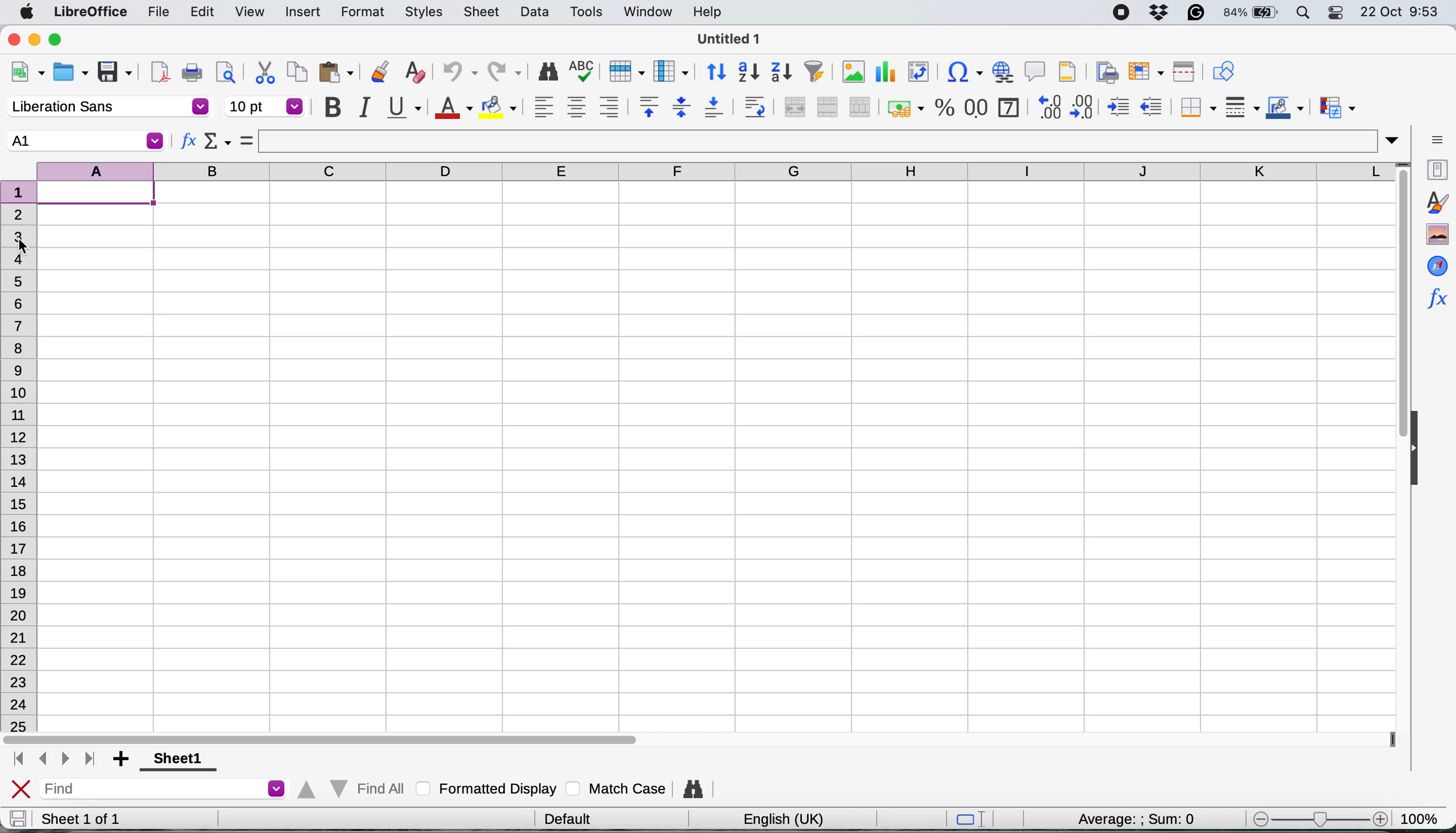  I want to click on insert or edit pivot table, so click(915, 72).